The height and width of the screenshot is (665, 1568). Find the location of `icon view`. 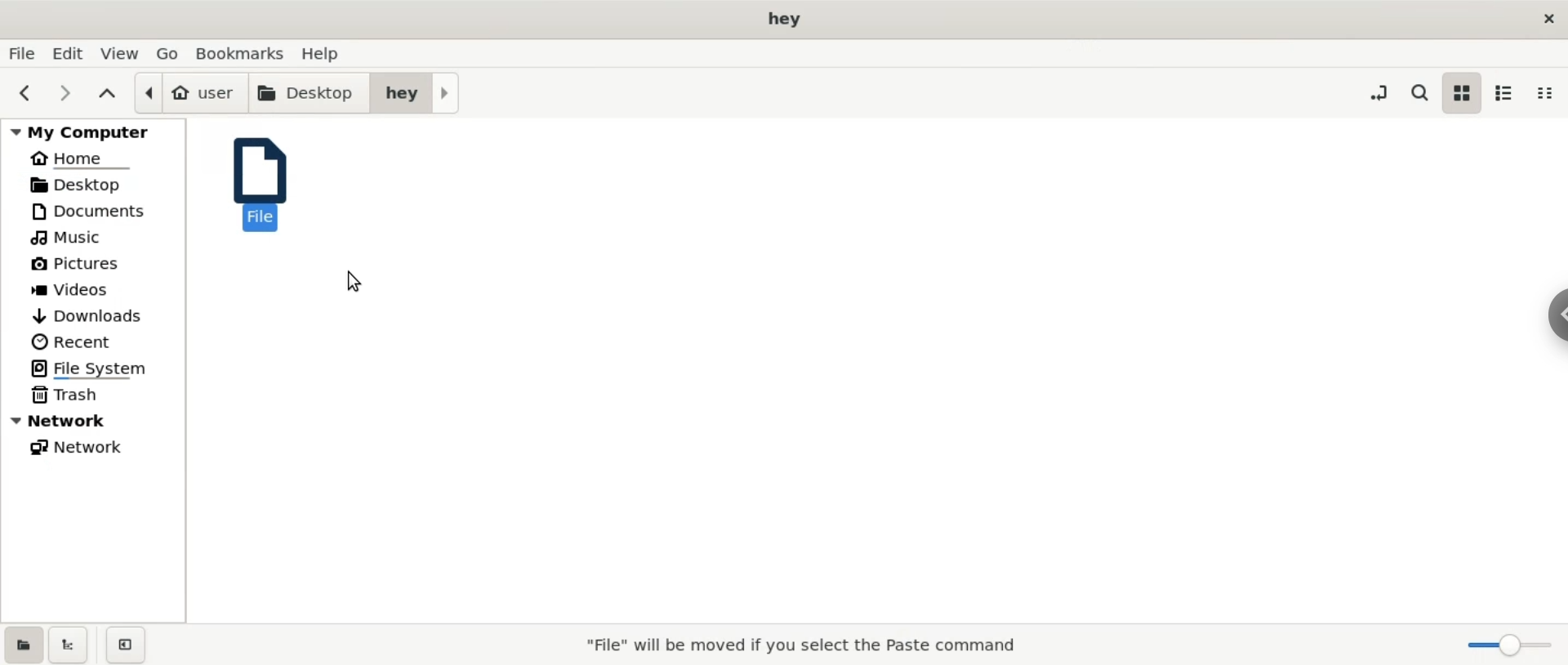

icon view is located at coordinates (1461, 95).